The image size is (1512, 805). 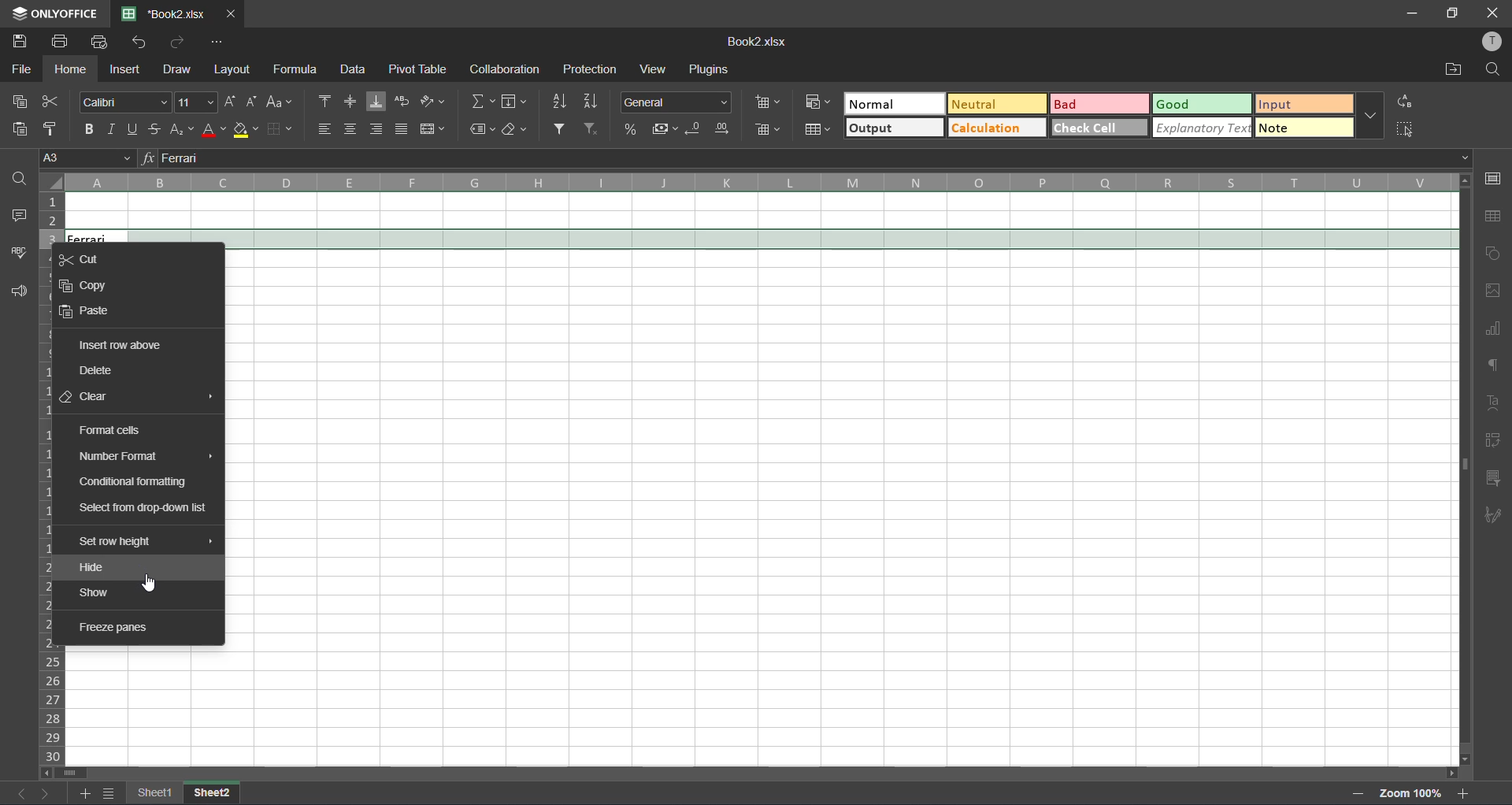 I want to click on next, so click(x=46, y=793).